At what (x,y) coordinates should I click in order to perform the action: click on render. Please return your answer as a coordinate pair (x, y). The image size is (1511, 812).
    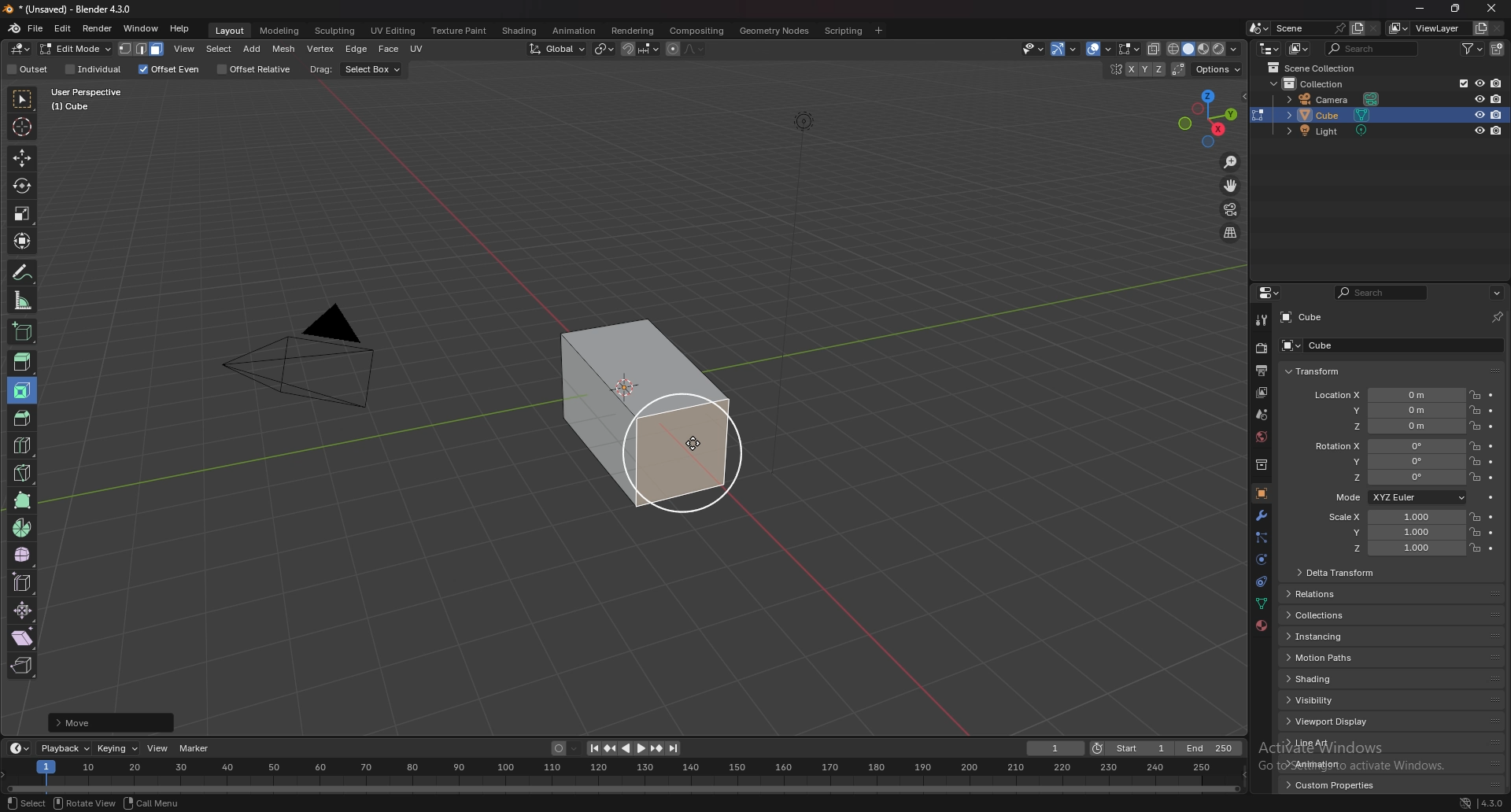
    Looking at the image, I should click on (98, 29).